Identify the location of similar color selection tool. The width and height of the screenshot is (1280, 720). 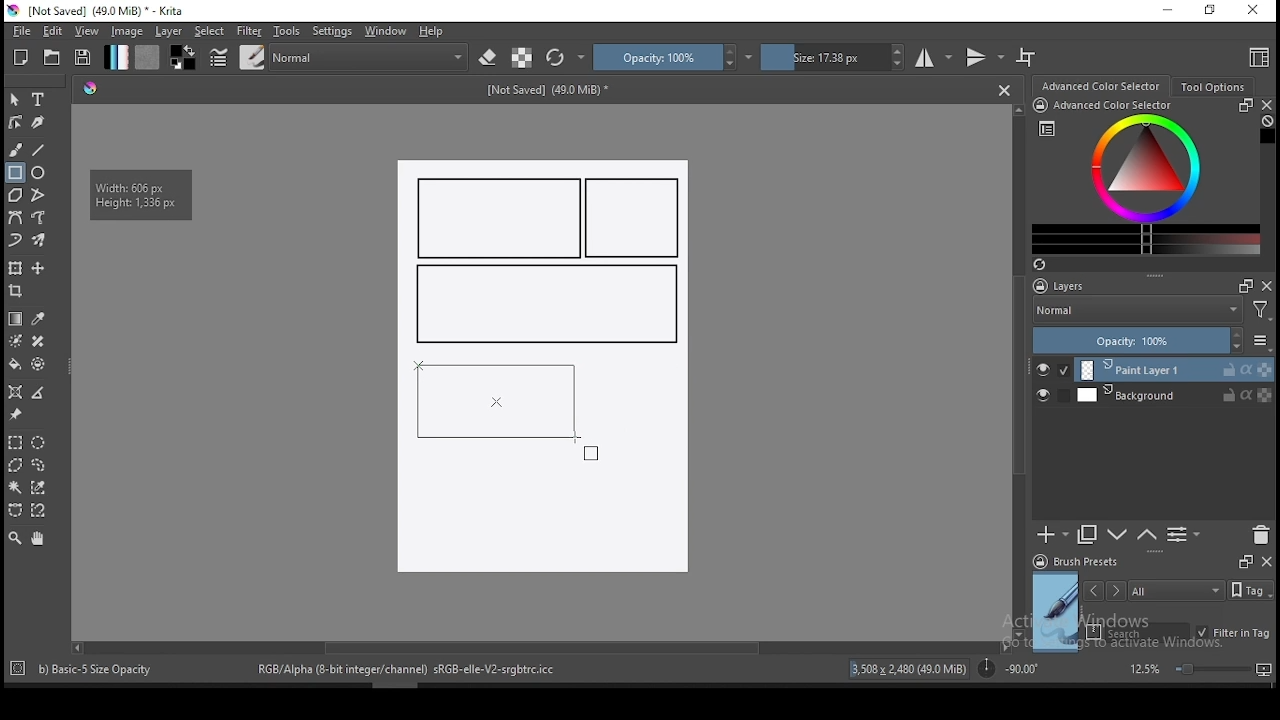
(41, 487).